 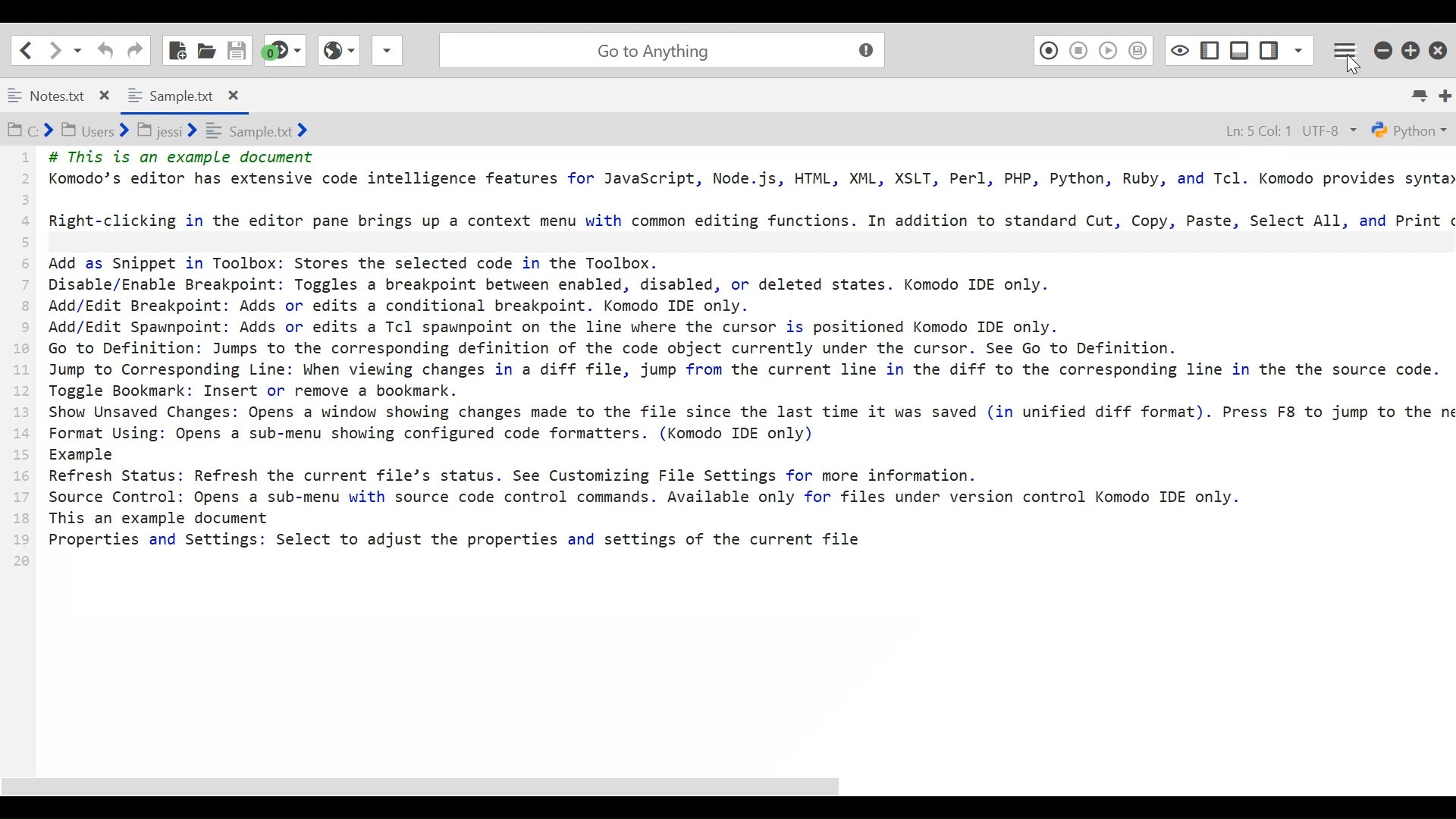 I want to click on Save Macro to Toolbox as Superscript, so click(x=1139, y=50).